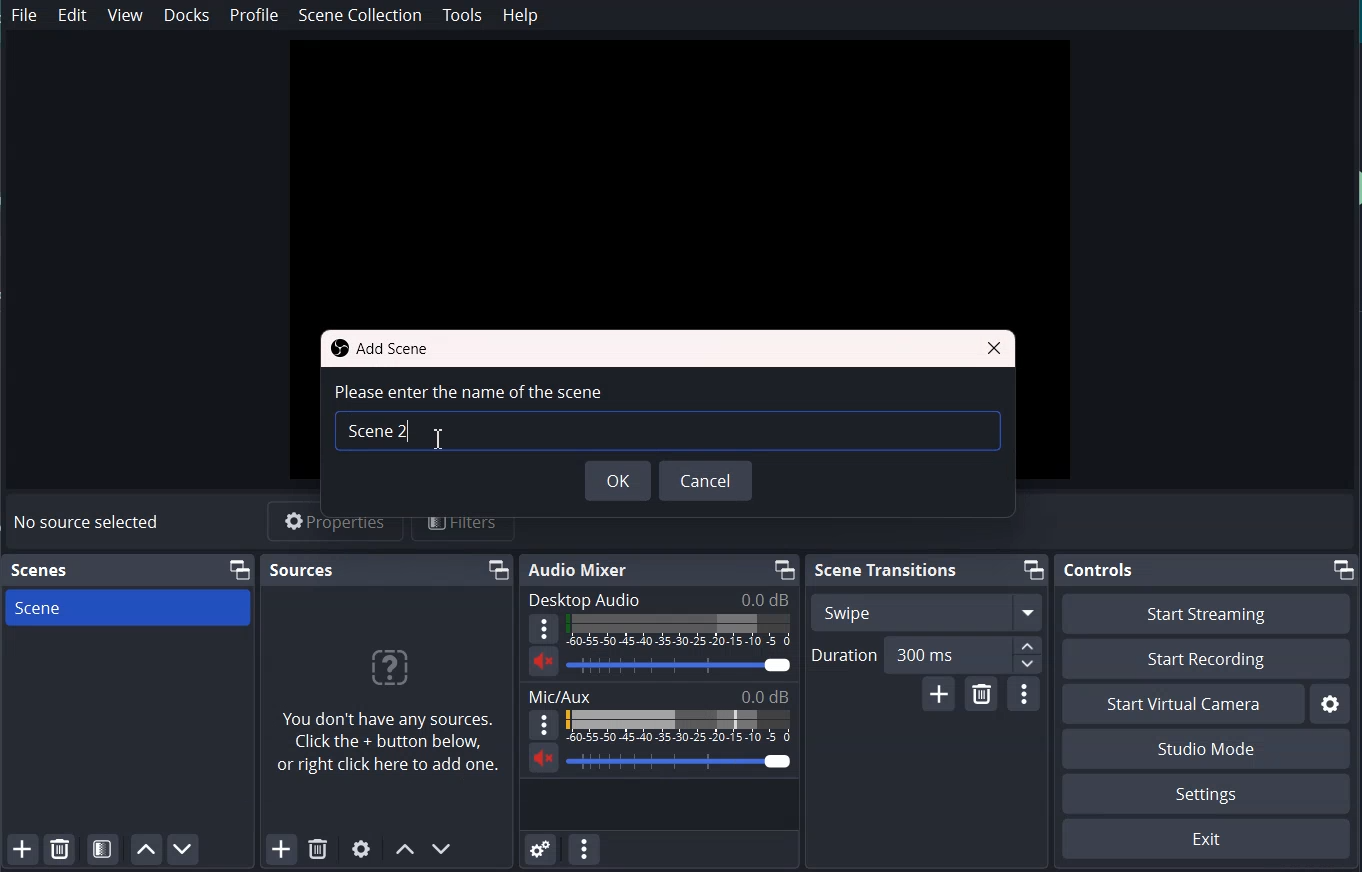 The image size is (1362, 872). What do you see at coordinates (619, 482) in the screenshot?
I see `OK` at bounding box center [619, 482].